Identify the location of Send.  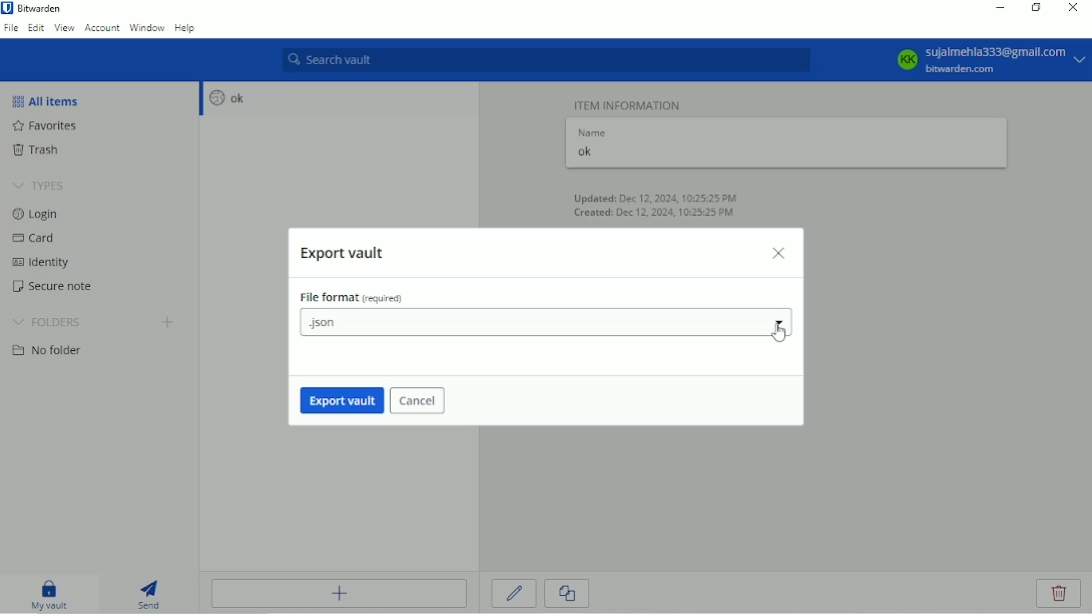
(150, 592).